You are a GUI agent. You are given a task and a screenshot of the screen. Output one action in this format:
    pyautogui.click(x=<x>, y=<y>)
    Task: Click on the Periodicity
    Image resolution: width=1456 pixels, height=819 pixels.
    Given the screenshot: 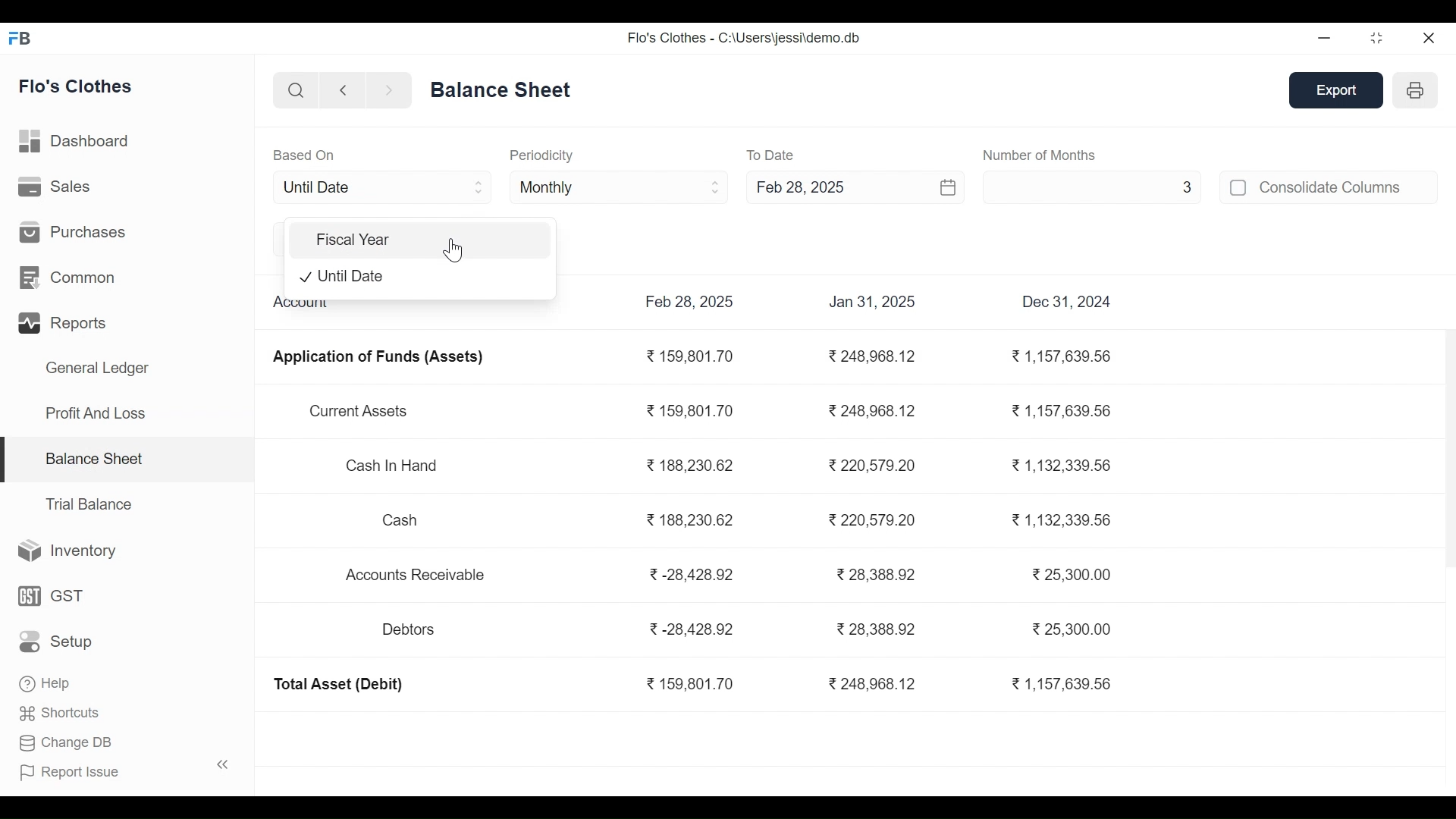 What is the action you would take?
    pyautogui.click(x=541, y=155)
    